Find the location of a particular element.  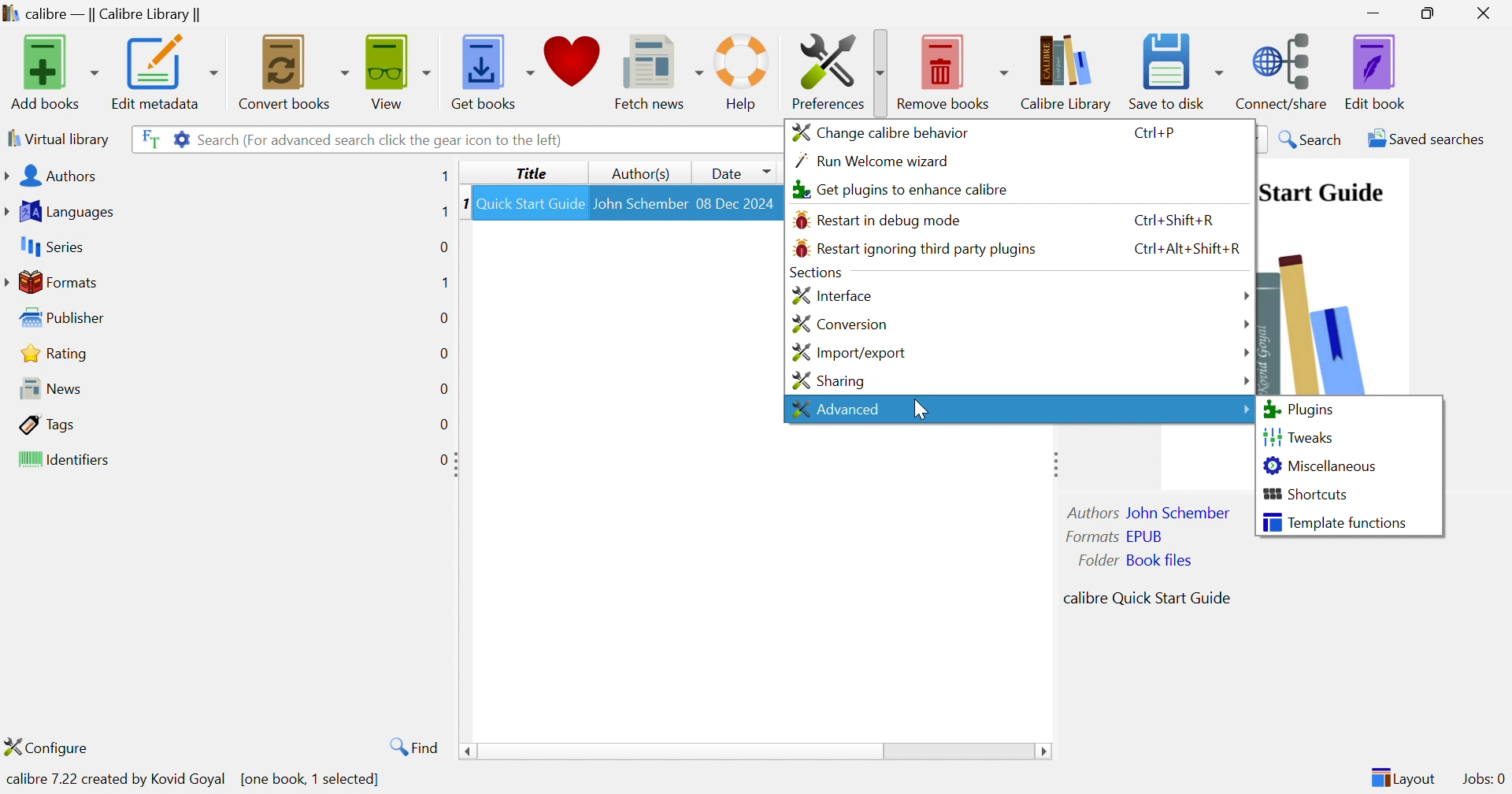

Shortcuts is located at coordinates (1307, 494).